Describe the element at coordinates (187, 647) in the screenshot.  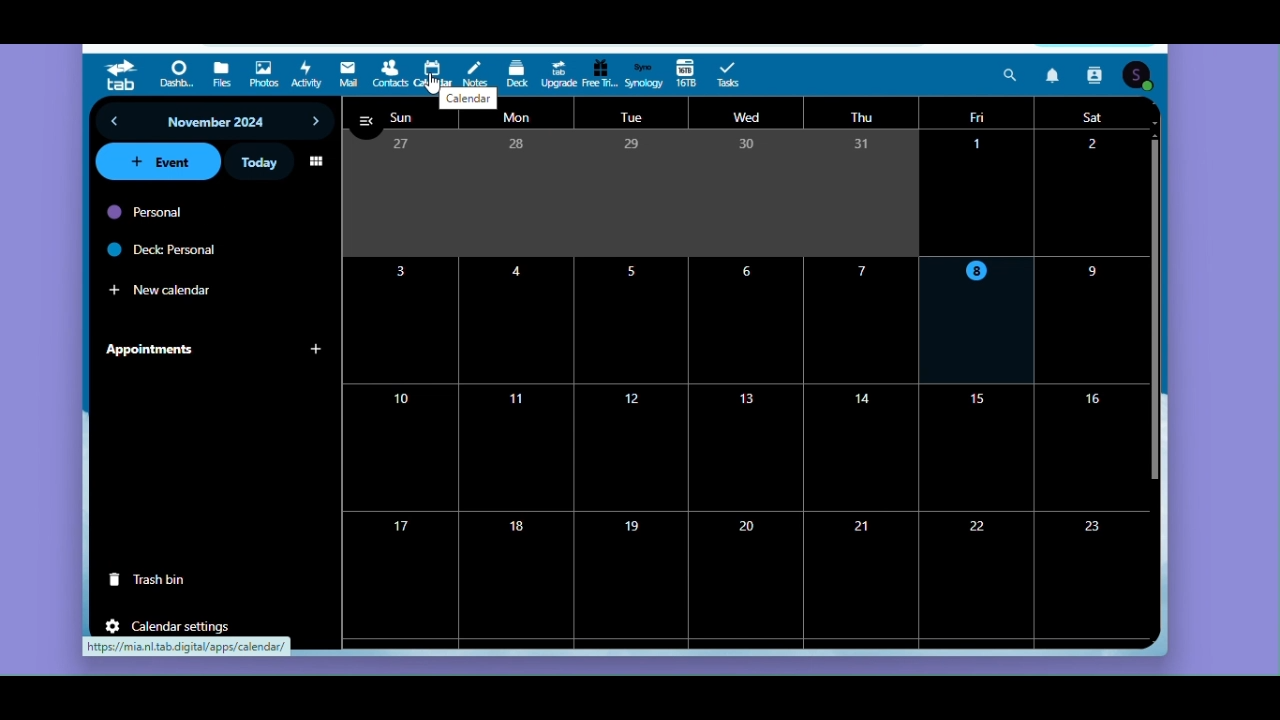
I see `https://mia.nl.tab.digital/apps/calendar/` at that location.